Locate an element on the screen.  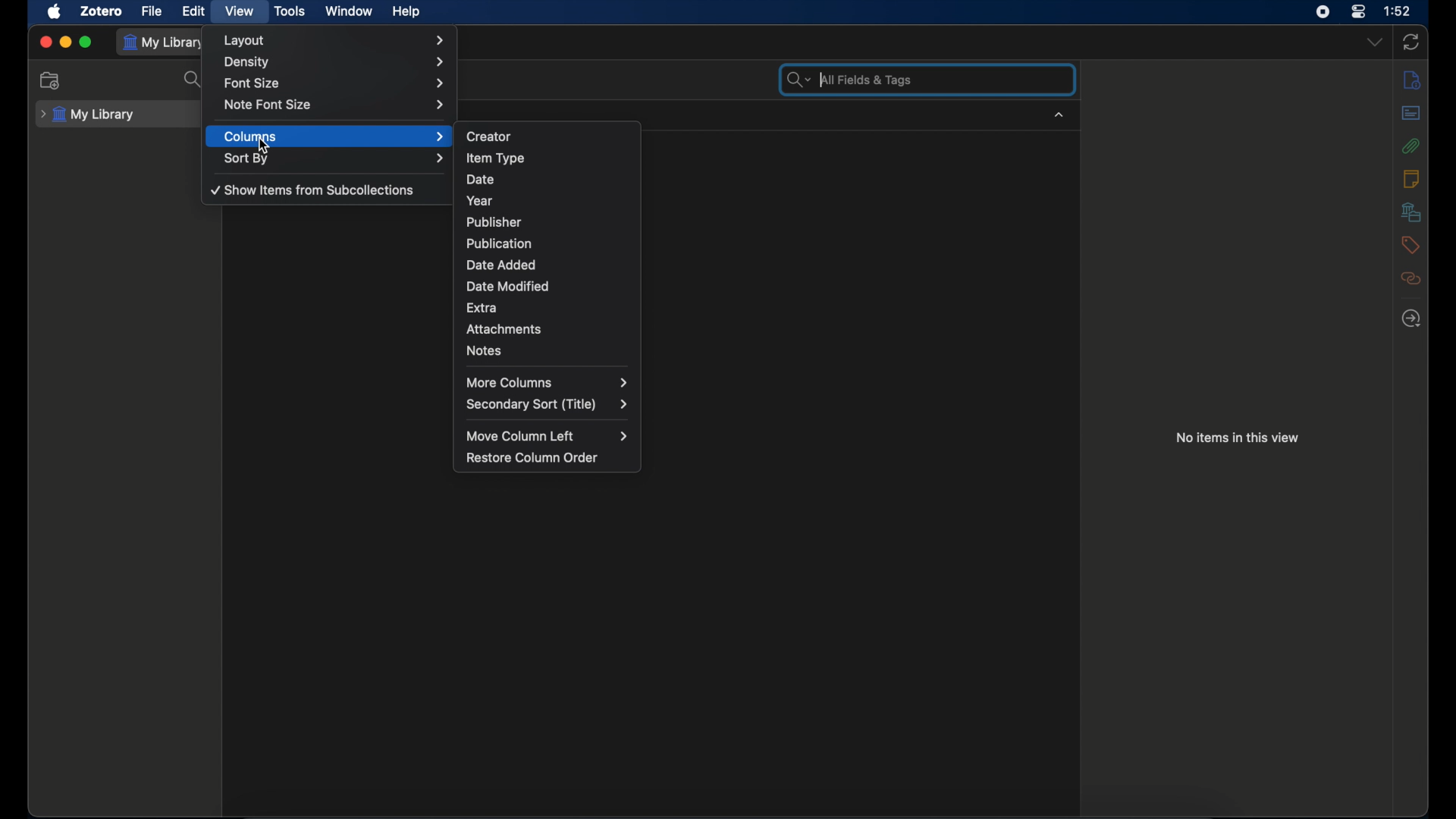
attachments is located at coordinates (505, 329).